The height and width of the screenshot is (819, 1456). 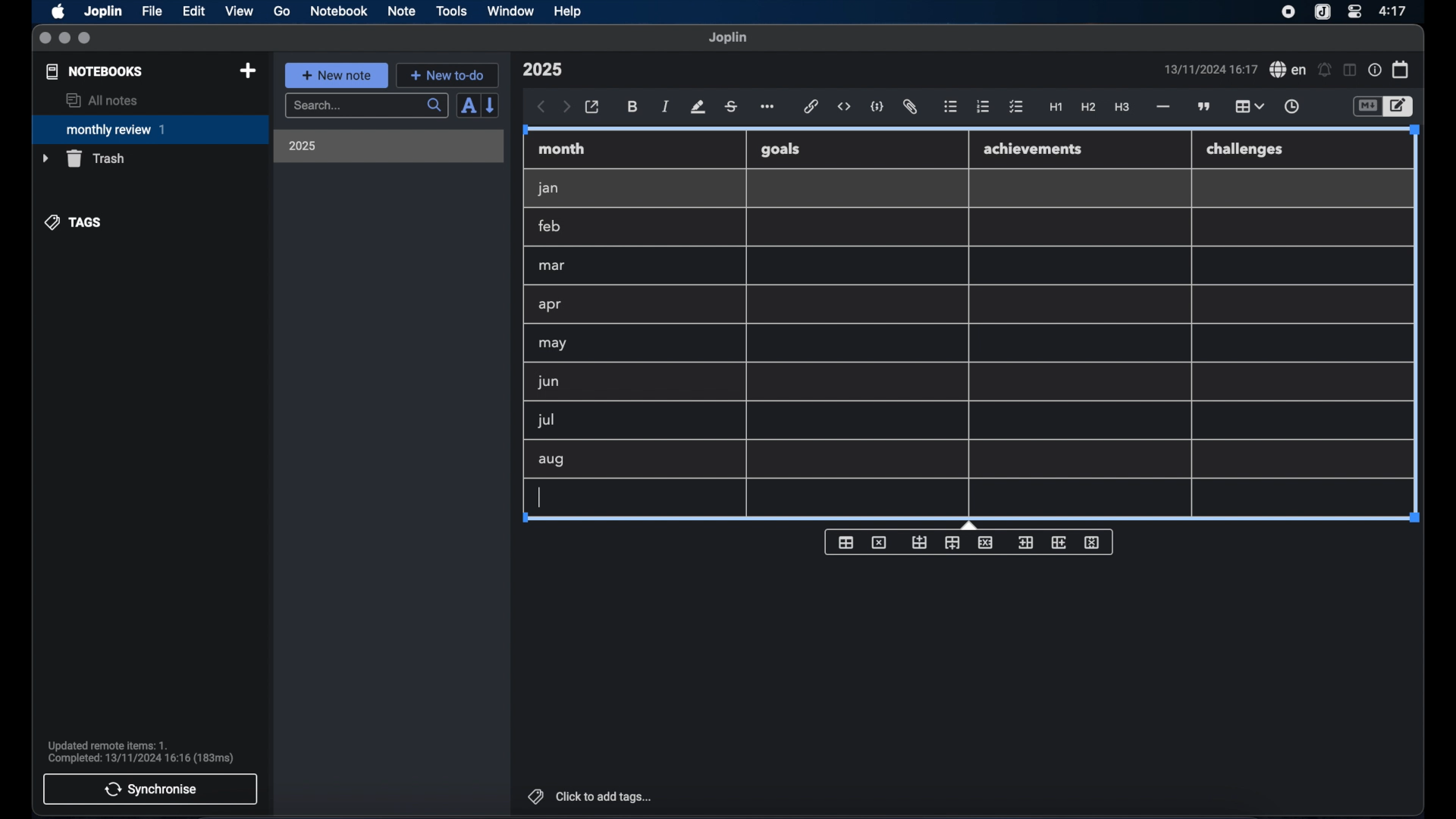 What do you see at coordinates (1367, 107) in the screenshot?
I see `toggle editor` at bounding box center [1367, 107].